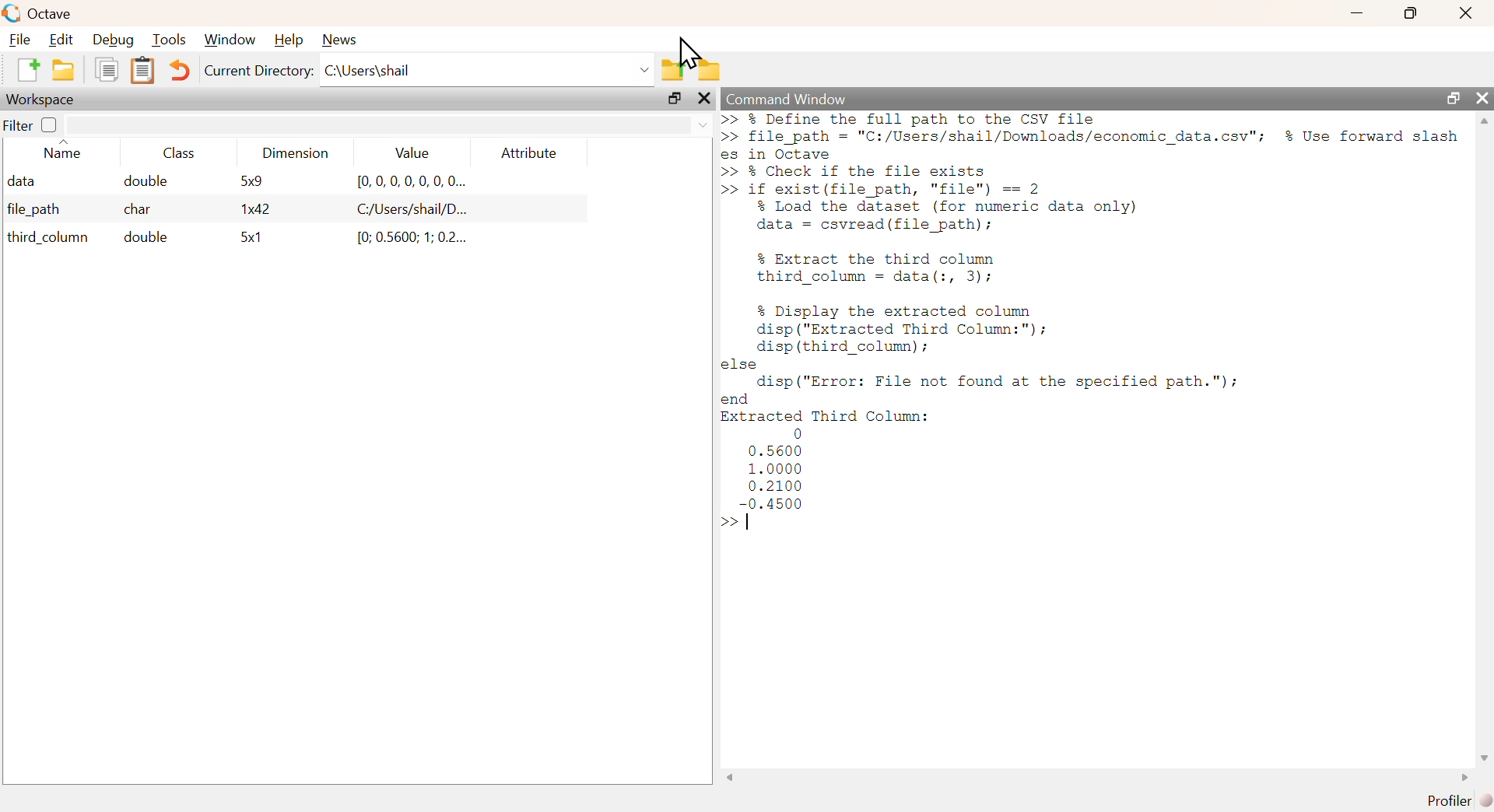  I want to click on  Debug, so click(110, 40).